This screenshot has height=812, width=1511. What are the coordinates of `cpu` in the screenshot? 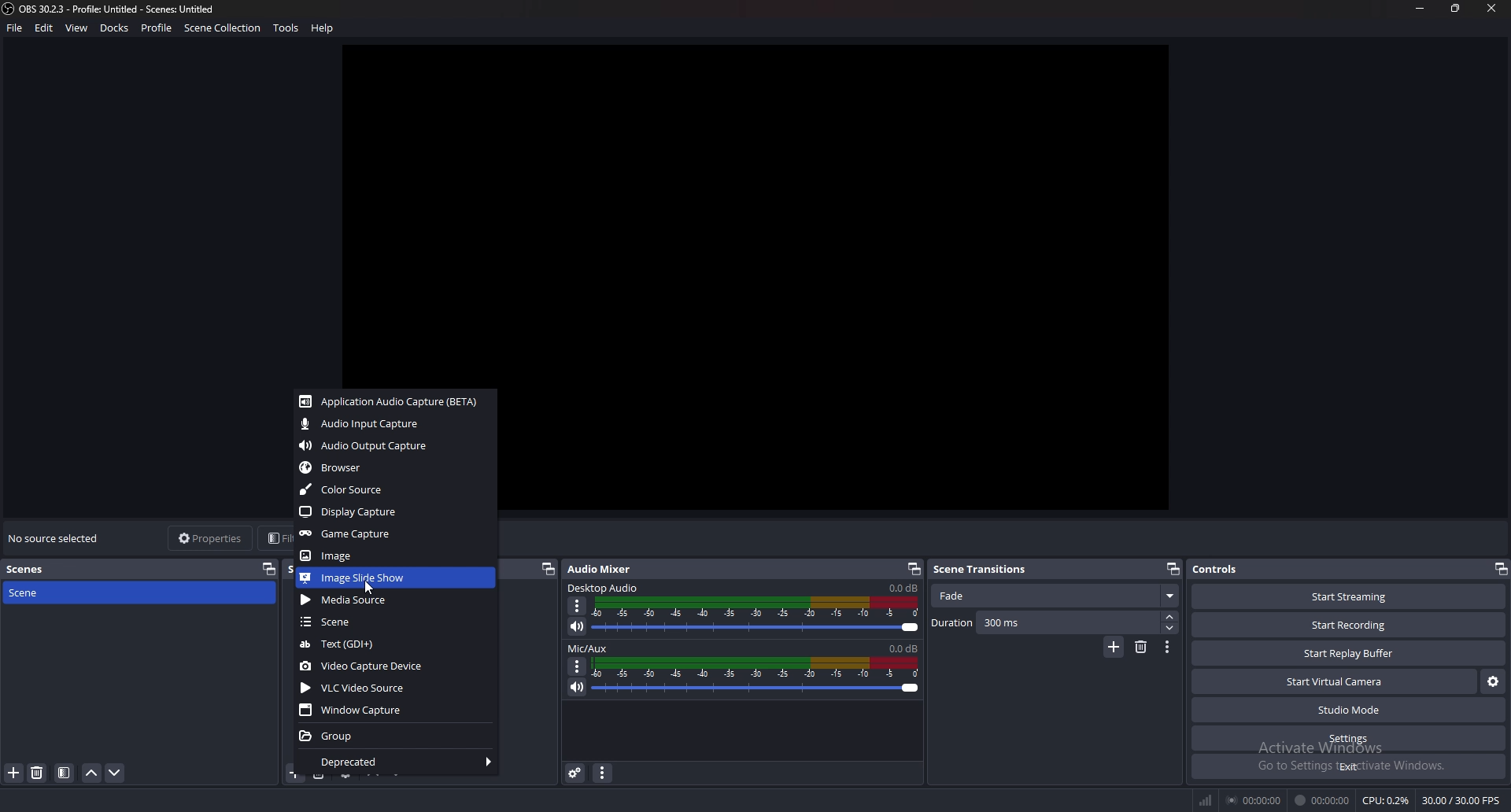 It's located at (1387, 799).